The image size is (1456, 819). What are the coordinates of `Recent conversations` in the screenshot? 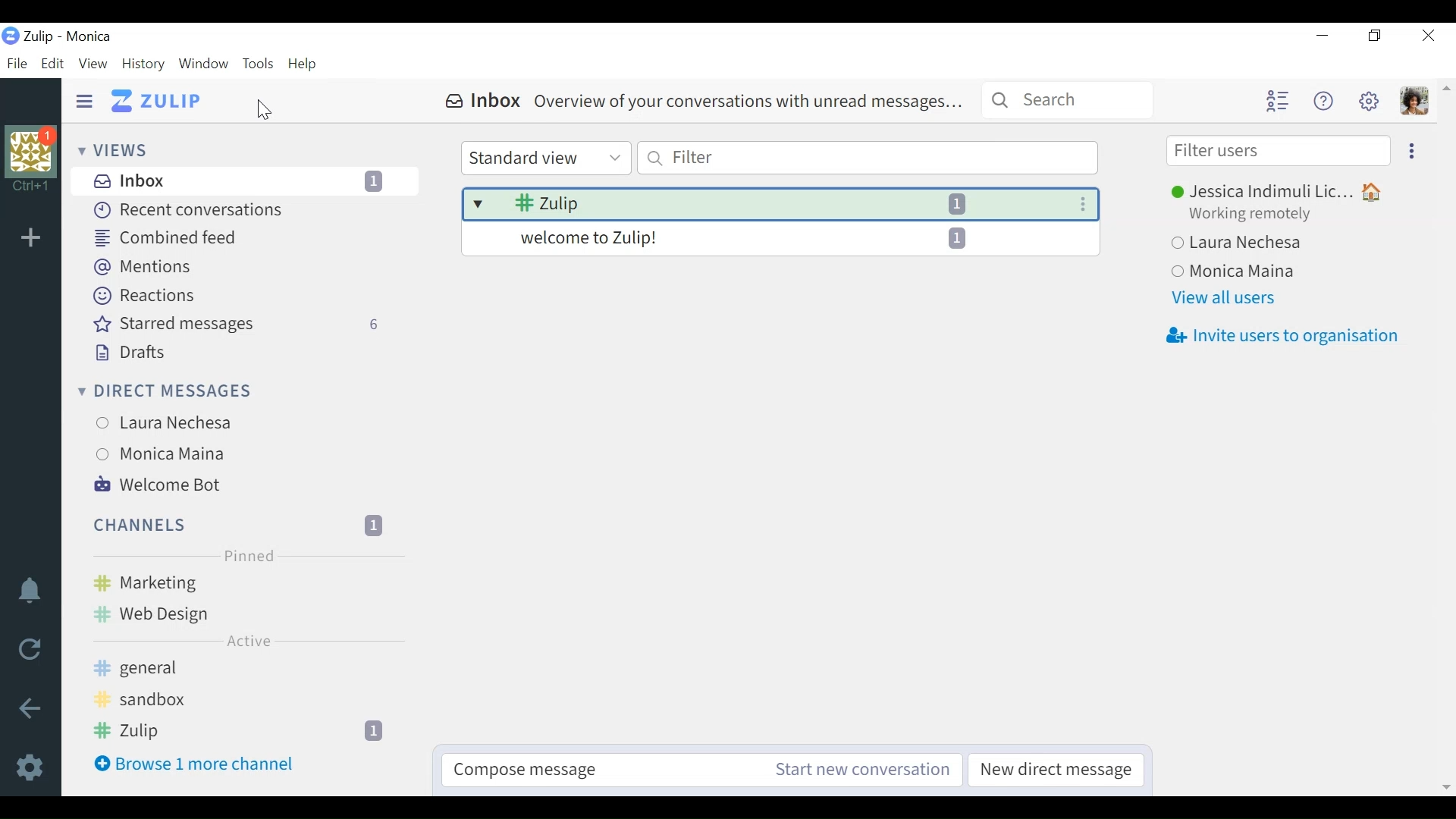 It's located at (186, 211).